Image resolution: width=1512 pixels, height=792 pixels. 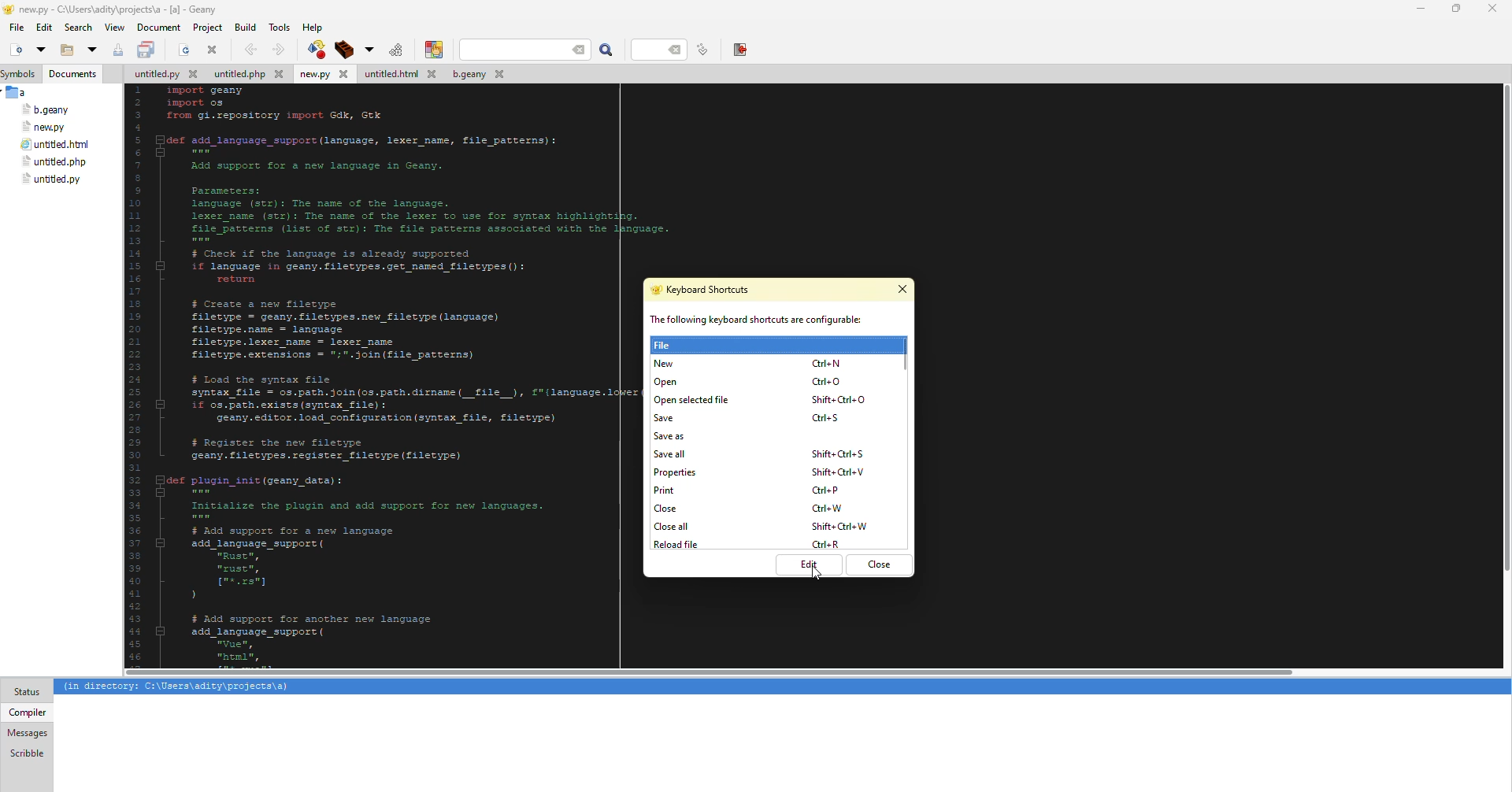 What do you see at coordinates (1507, 338) in the screenshot?
I see `scroll bar` at bounding box center [1507, 338].